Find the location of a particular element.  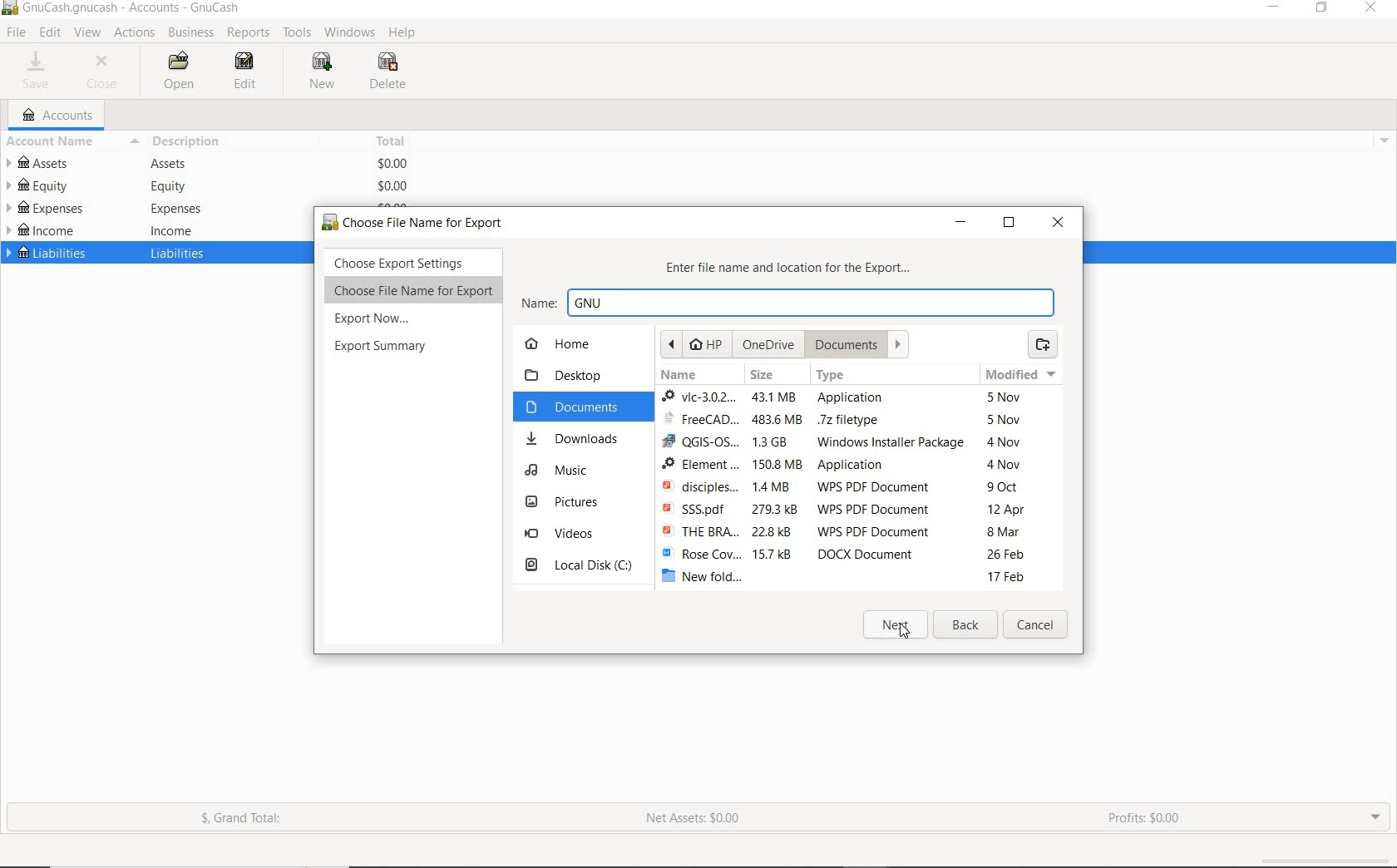

BUSINESS is located at coordinates (190, 33).